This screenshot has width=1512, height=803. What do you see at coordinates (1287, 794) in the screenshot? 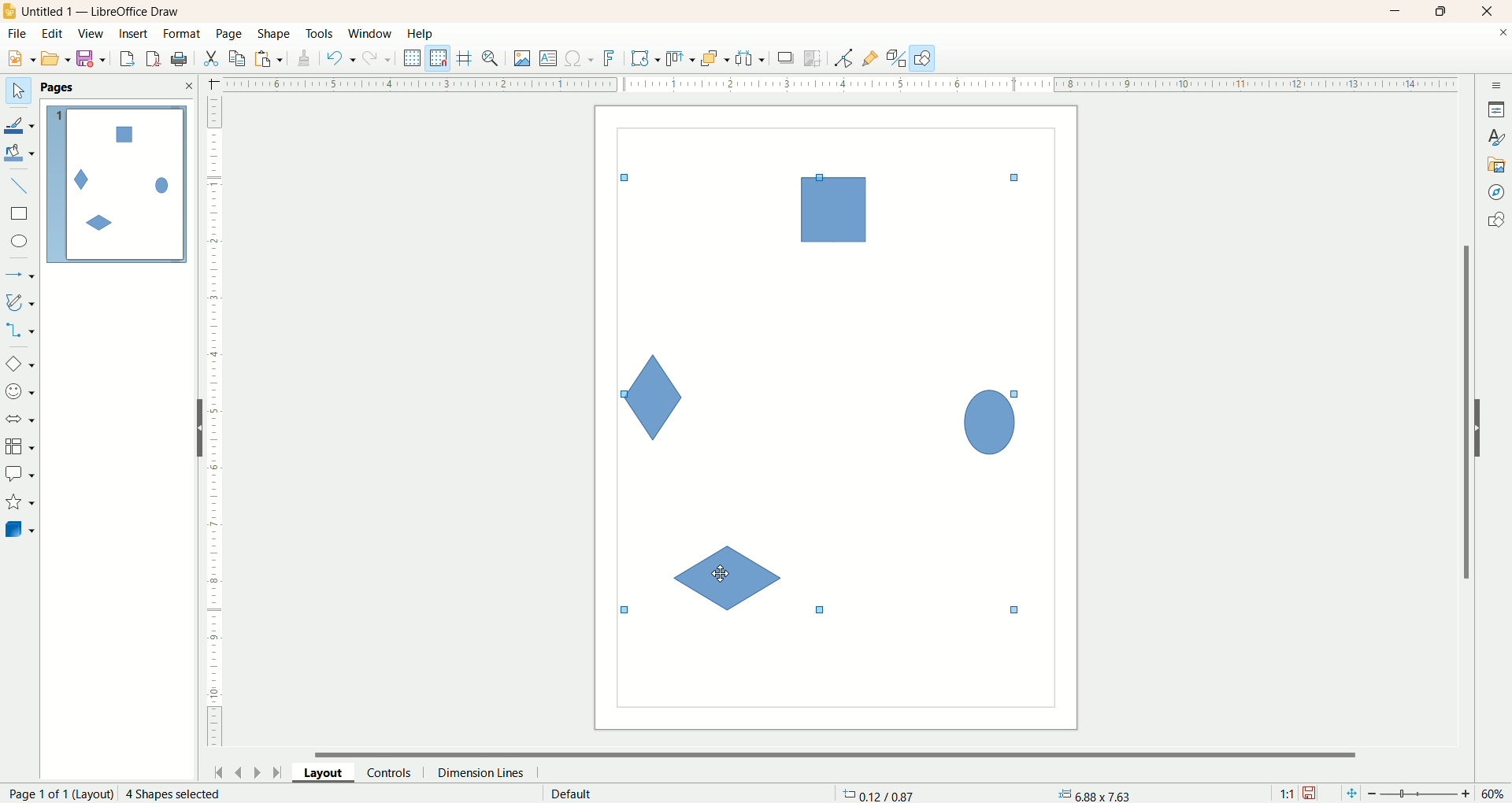
I see `scale factor` at bounding box center [1287, 794].